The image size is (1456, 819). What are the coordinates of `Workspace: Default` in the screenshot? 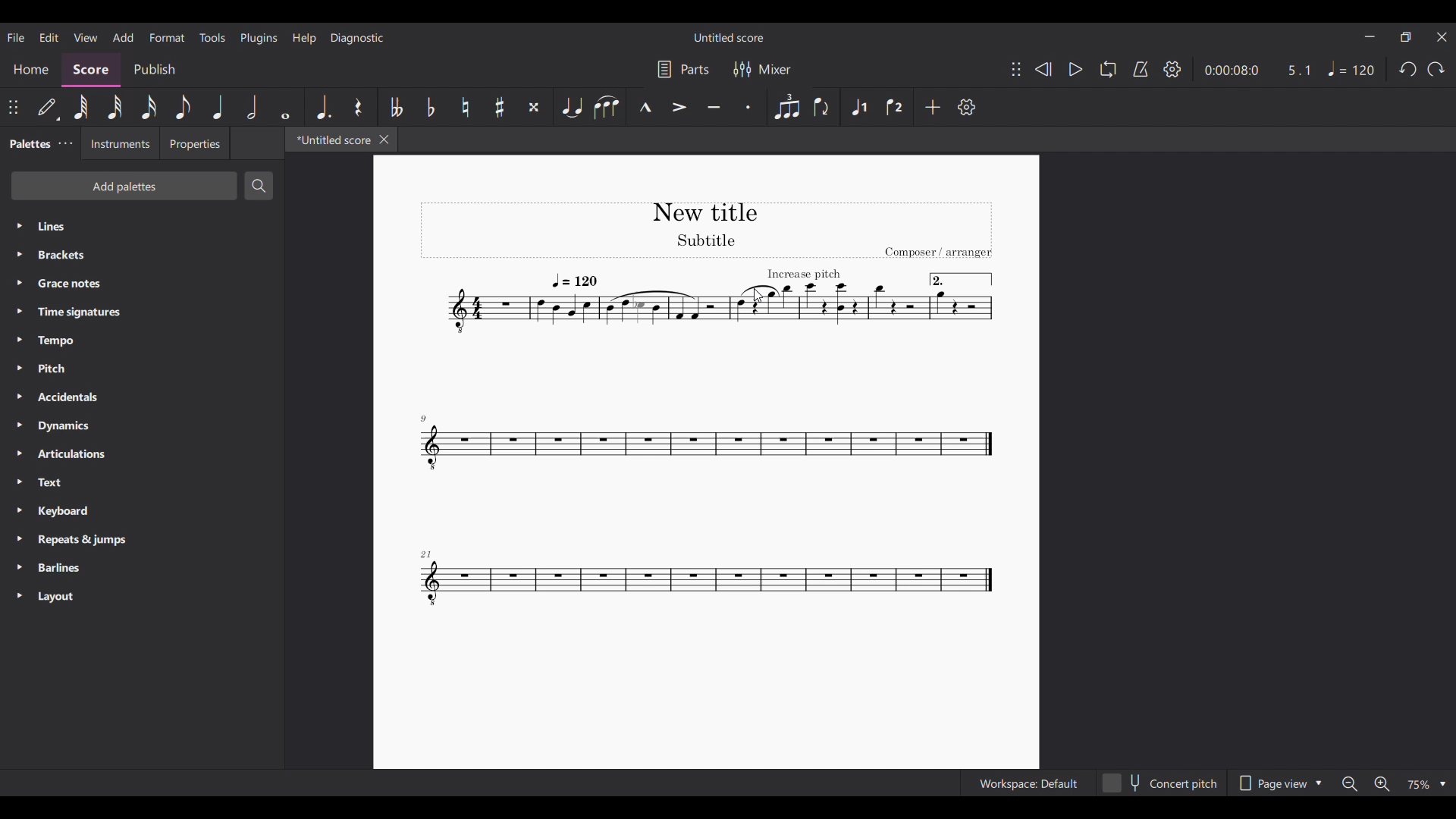 It's located at (1028, 783).